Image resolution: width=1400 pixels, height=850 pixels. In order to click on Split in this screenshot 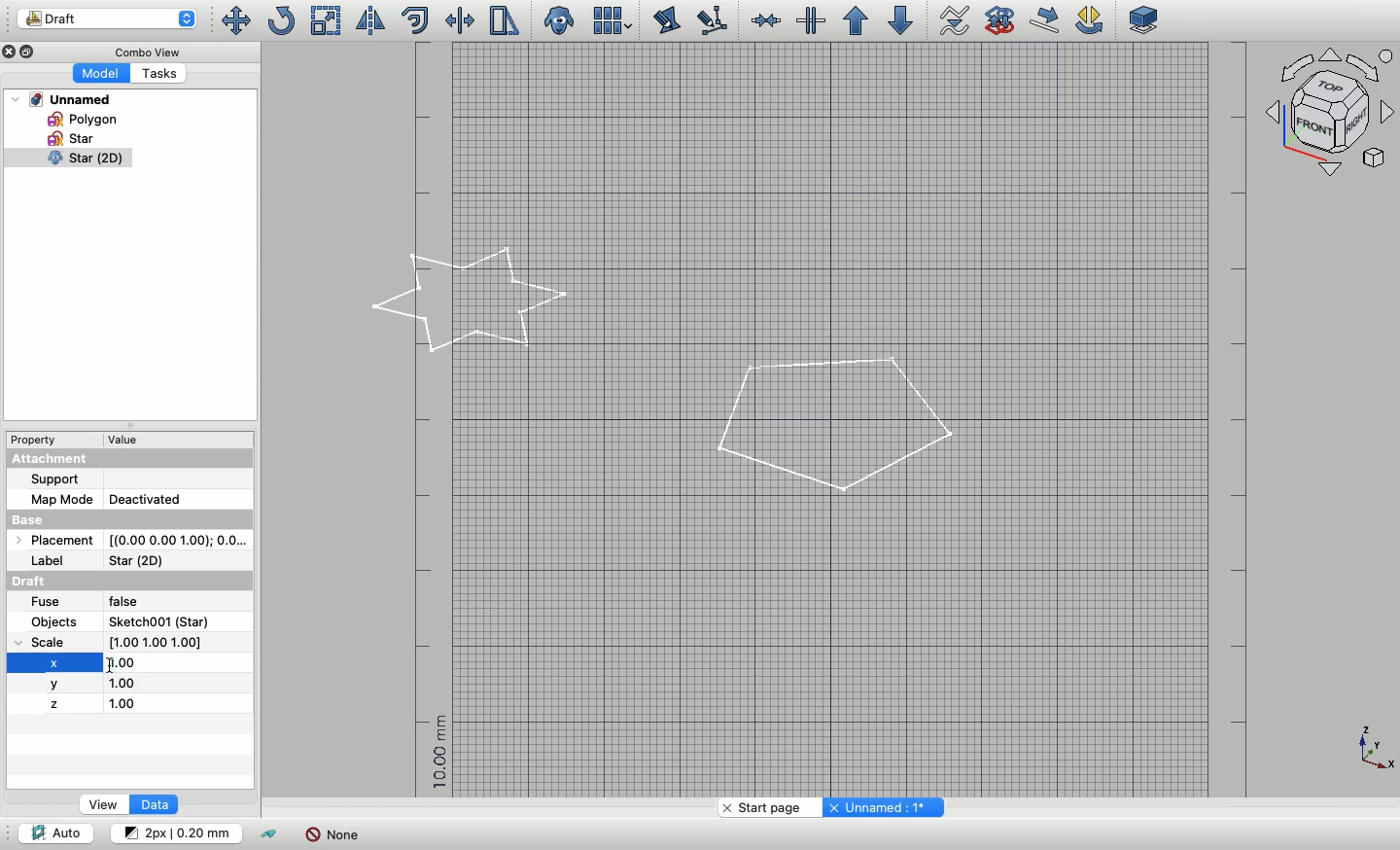, I will do `click(810, 20)`.